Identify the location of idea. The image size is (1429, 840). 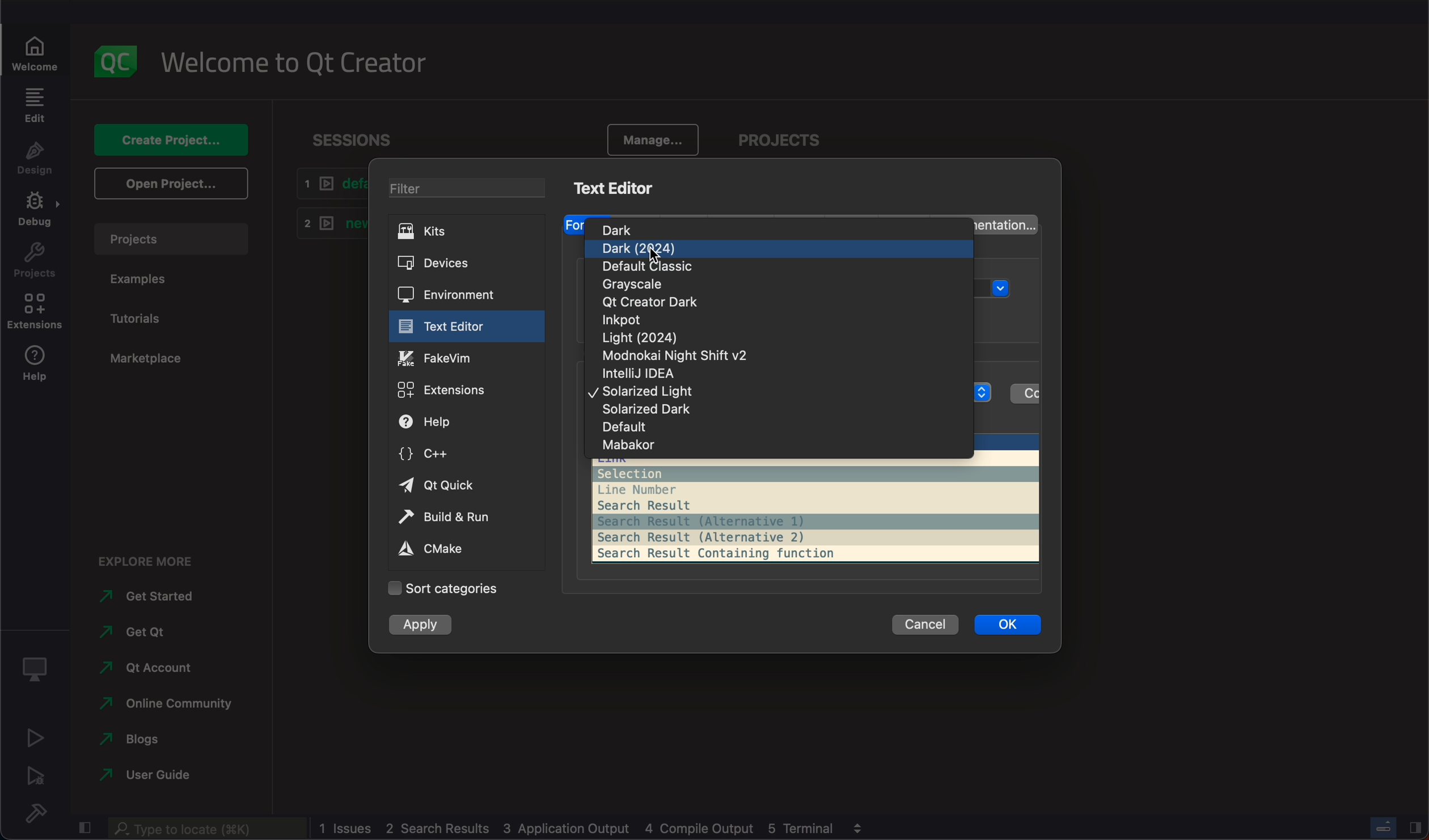
(645, 374).